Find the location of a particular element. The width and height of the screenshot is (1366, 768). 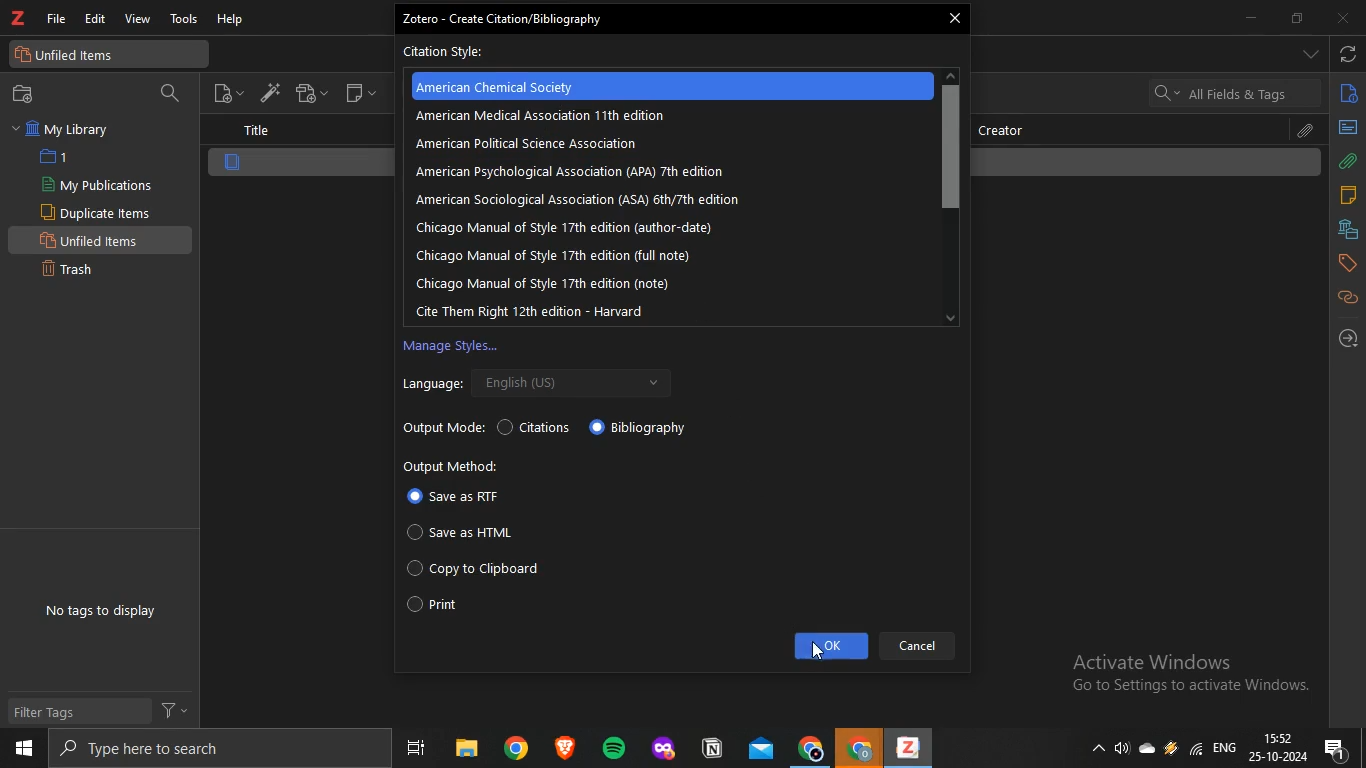

speakers is located at coordinates (1124, 749).